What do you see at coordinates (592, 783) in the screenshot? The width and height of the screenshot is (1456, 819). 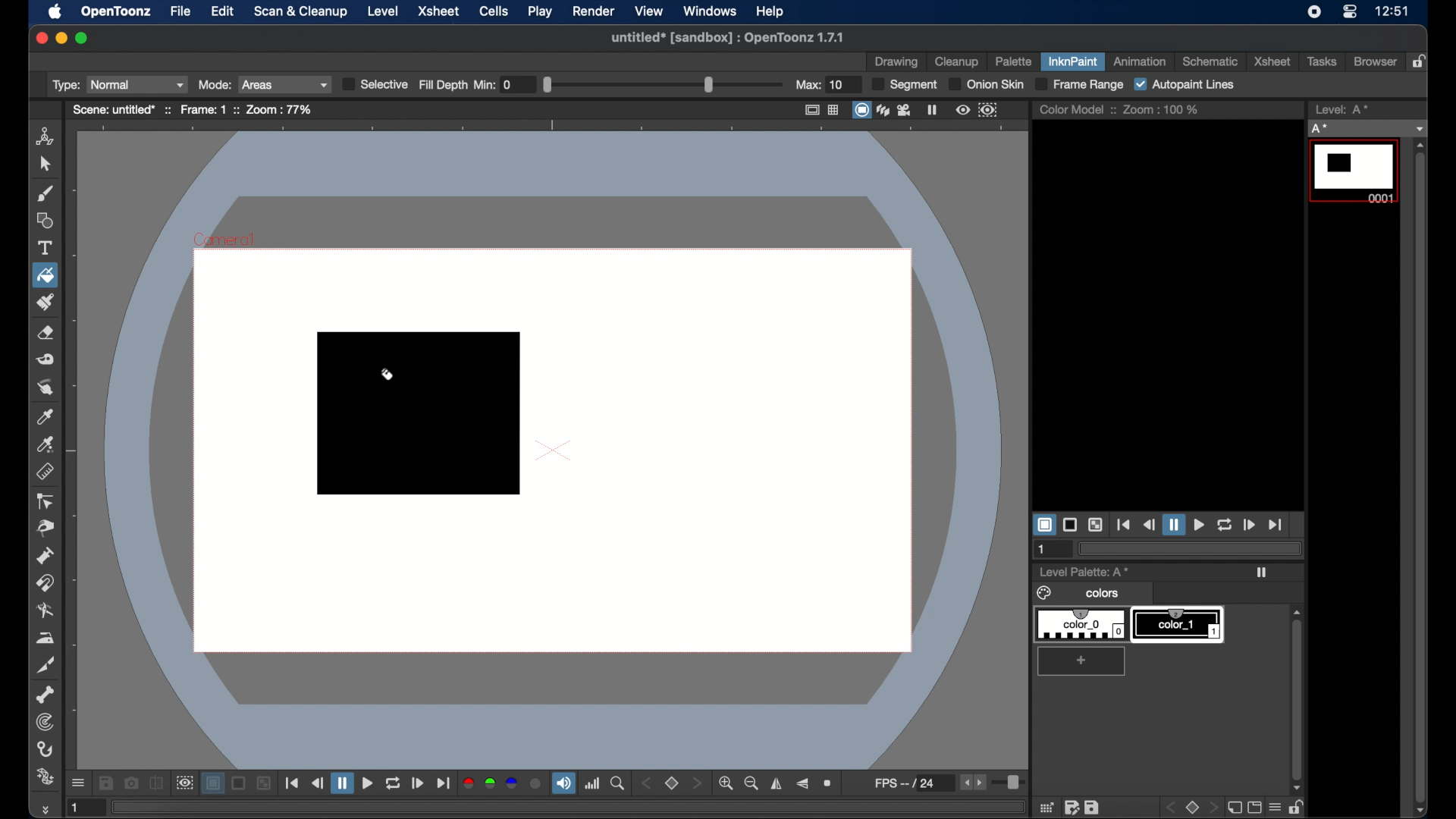 I see `histogram` at bounding box center [592, 783].